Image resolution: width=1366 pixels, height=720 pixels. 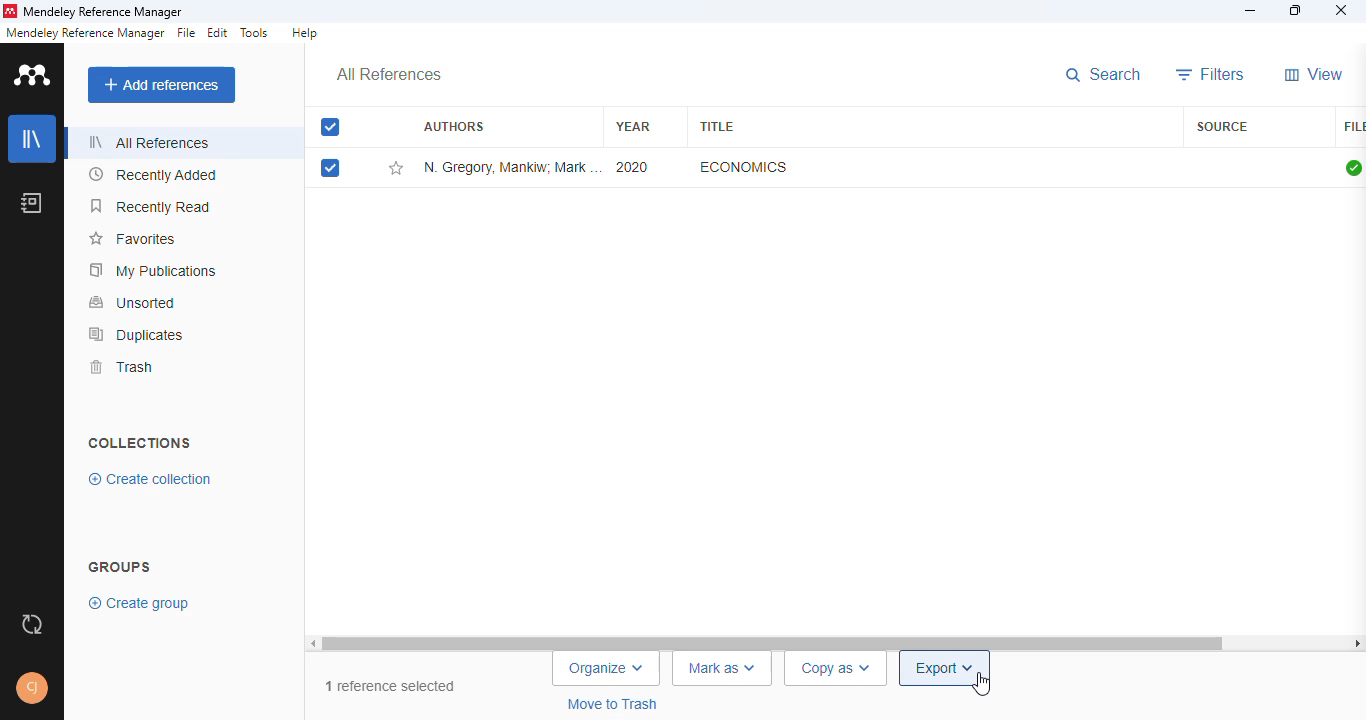 What do you see at coordinates (126, 368) in the screenshot?
I see `trash` at bounding box center [126, 368].